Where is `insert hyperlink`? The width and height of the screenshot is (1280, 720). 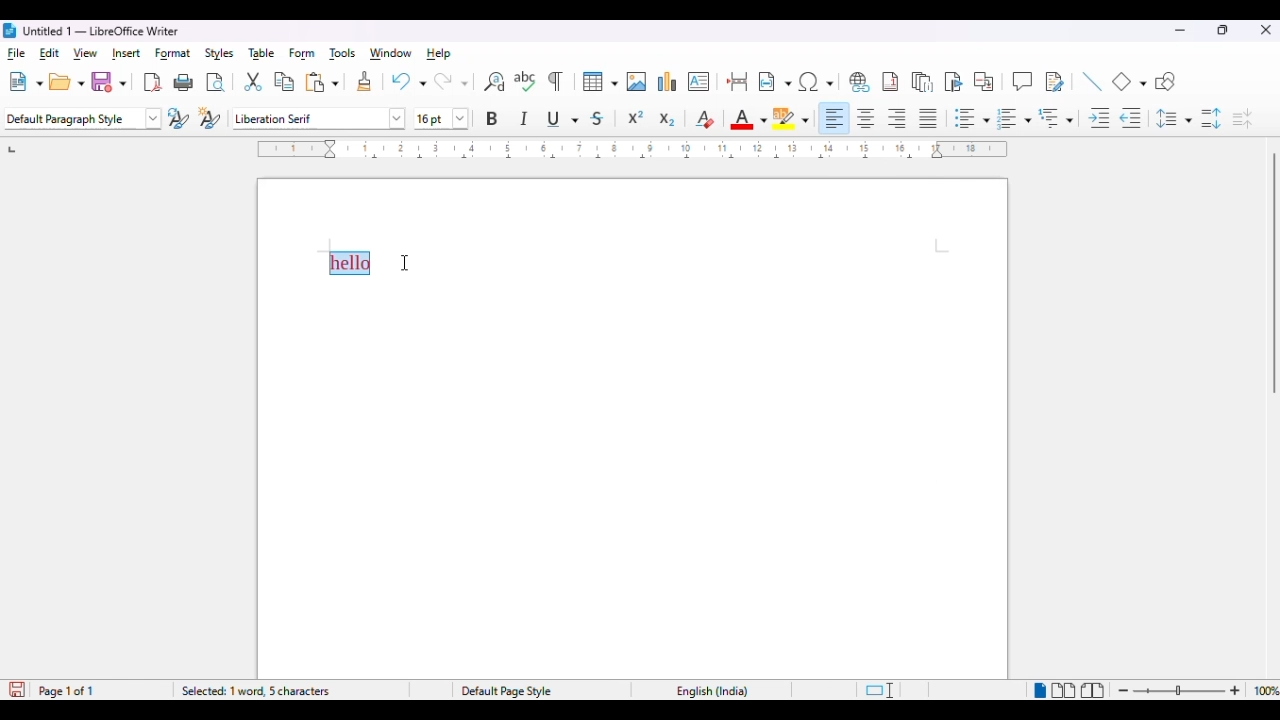 insert hyperlink is located at coordinates (858, 82).